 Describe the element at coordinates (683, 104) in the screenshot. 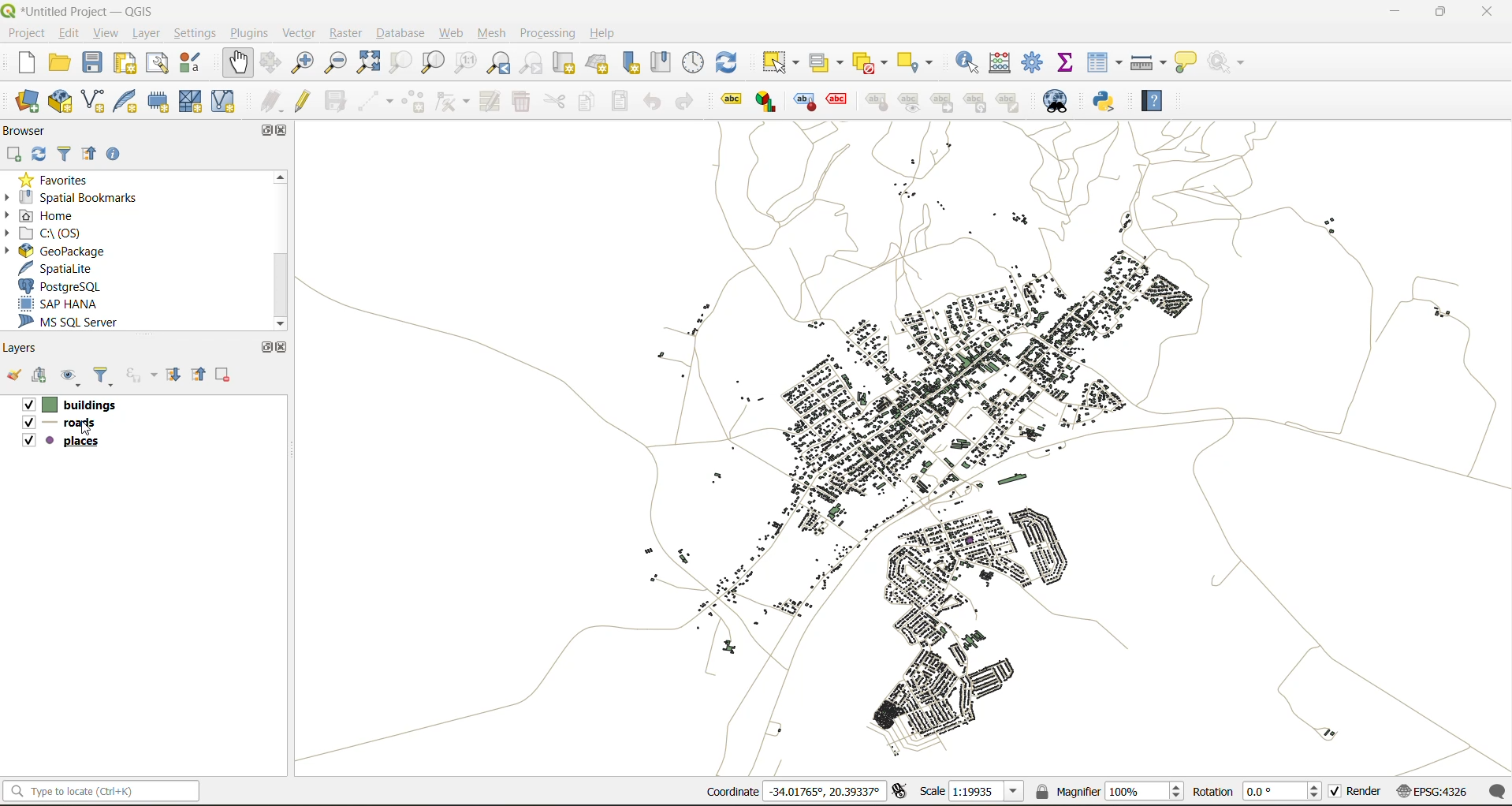

I see `redo` at that location.